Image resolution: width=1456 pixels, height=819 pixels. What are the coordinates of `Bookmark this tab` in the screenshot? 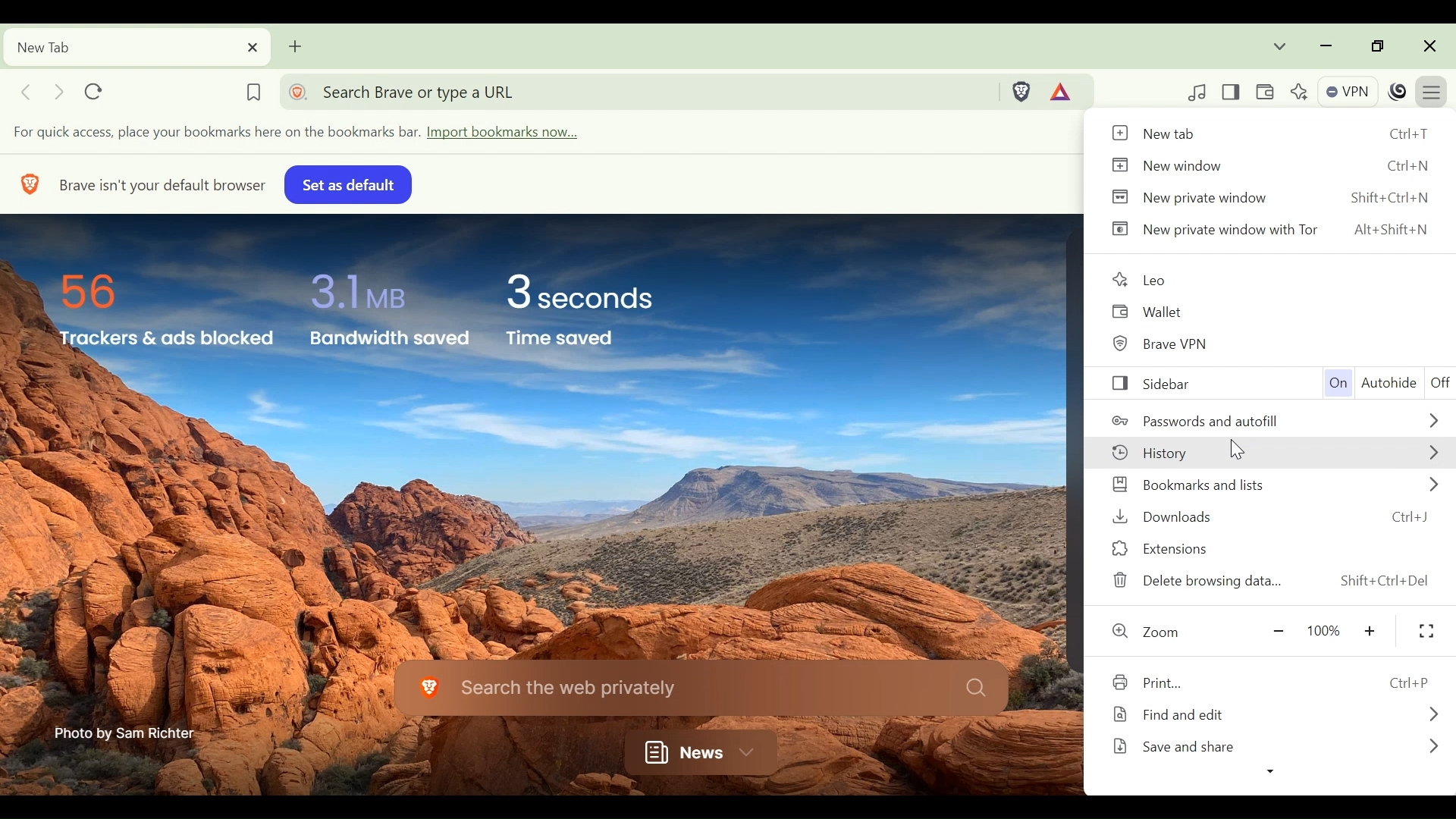 It's located at (252, 88).